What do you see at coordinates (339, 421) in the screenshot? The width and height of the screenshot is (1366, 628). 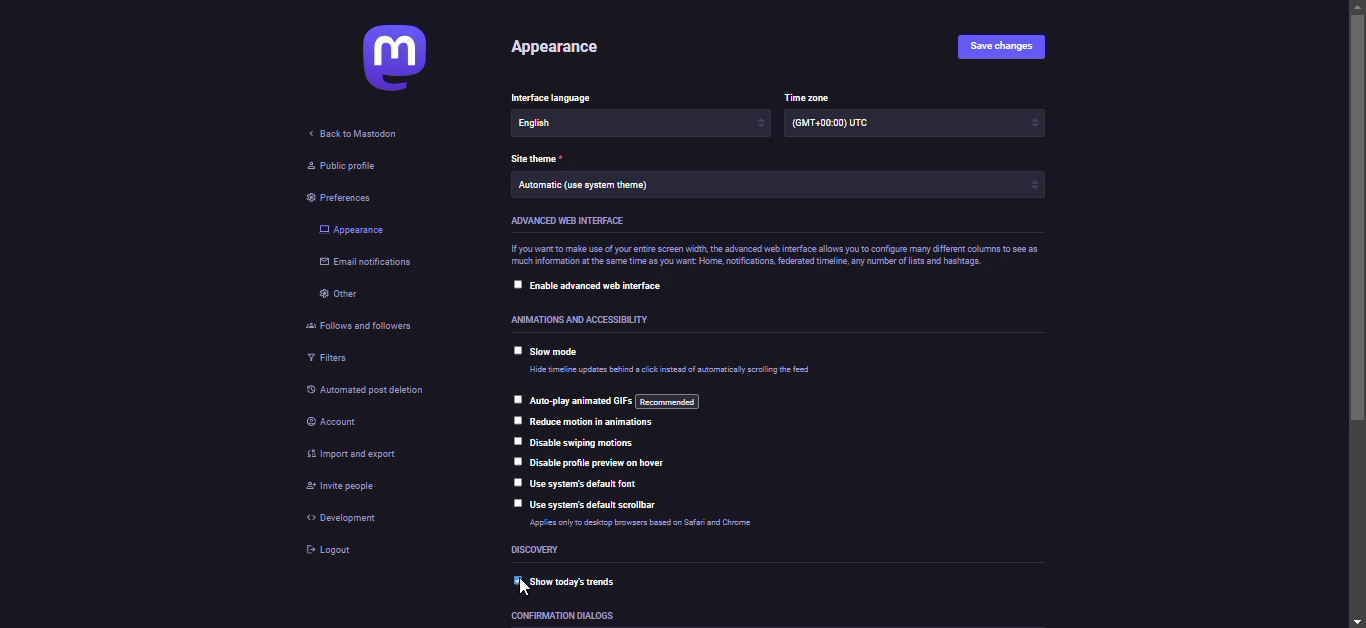 I see `account` at bounding box center [339, 421].